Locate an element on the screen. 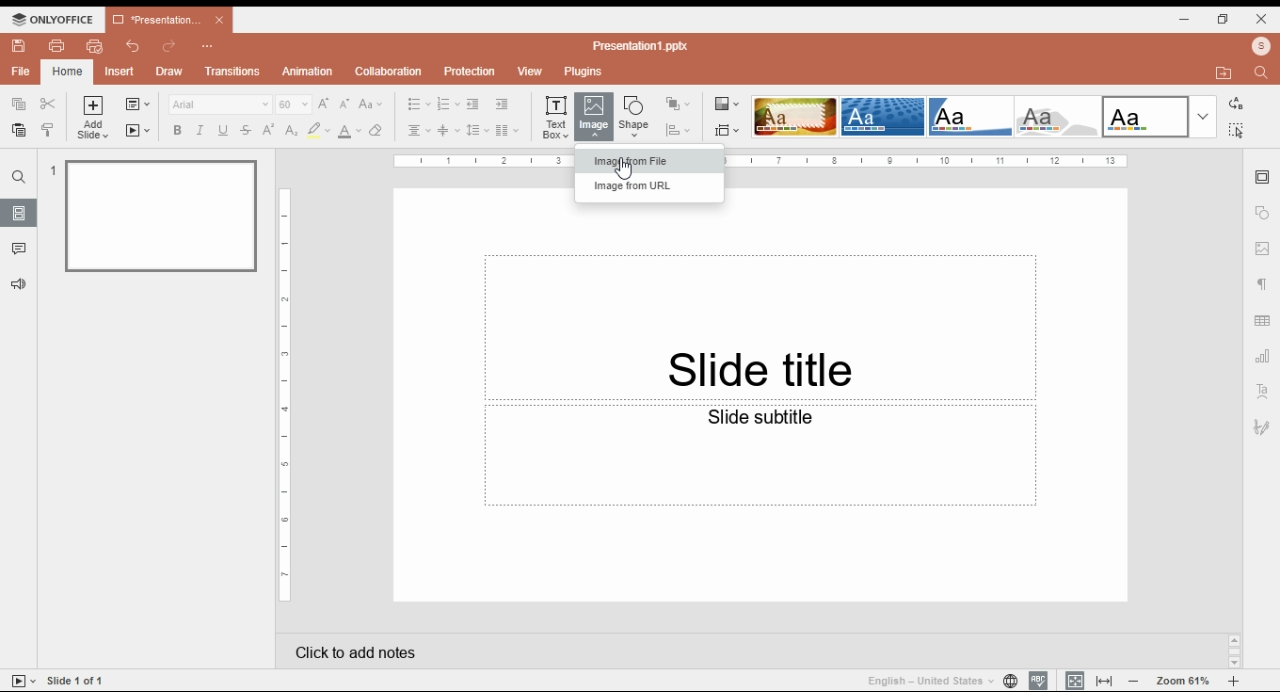  protection is located at coordinates (471, 71).